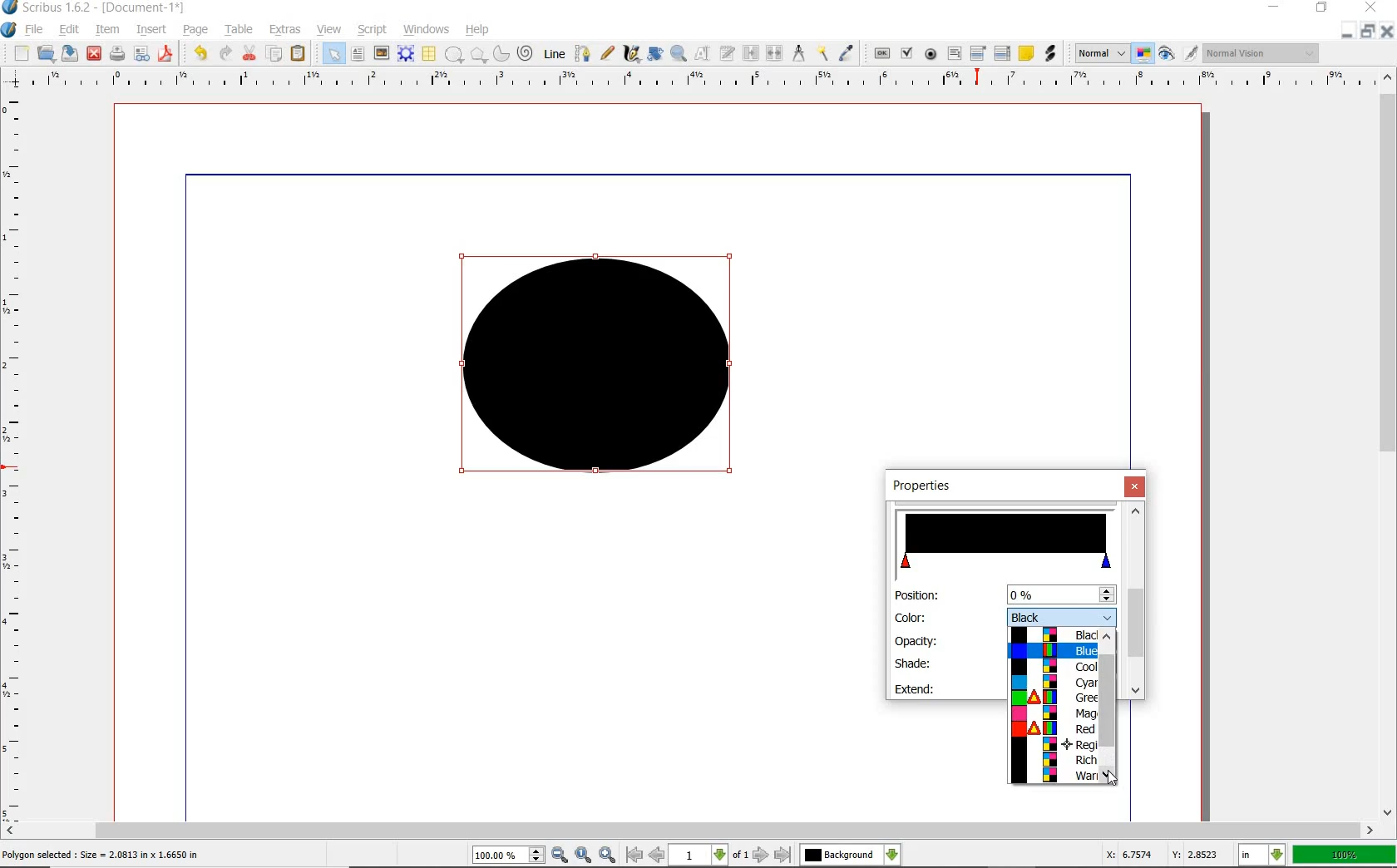  What do you see at coordinates (70, 53) in the screenshot?
I see `SAVE` at bounding box center [70, 53].